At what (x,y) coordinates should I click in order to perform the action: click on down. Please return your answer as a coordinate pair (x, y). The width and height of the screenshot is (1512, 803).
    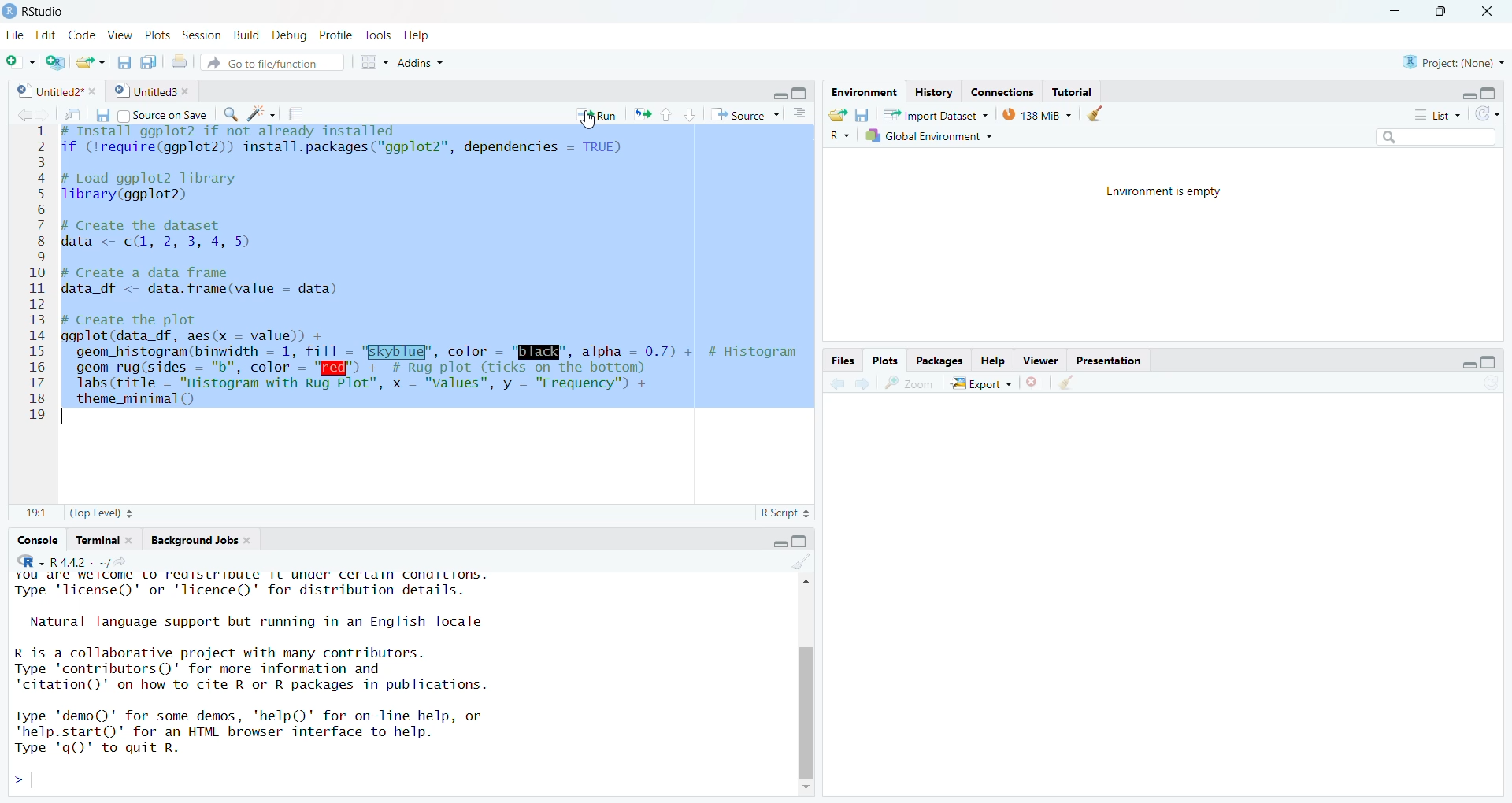
    Looking at the image, I should click on (693, 114).